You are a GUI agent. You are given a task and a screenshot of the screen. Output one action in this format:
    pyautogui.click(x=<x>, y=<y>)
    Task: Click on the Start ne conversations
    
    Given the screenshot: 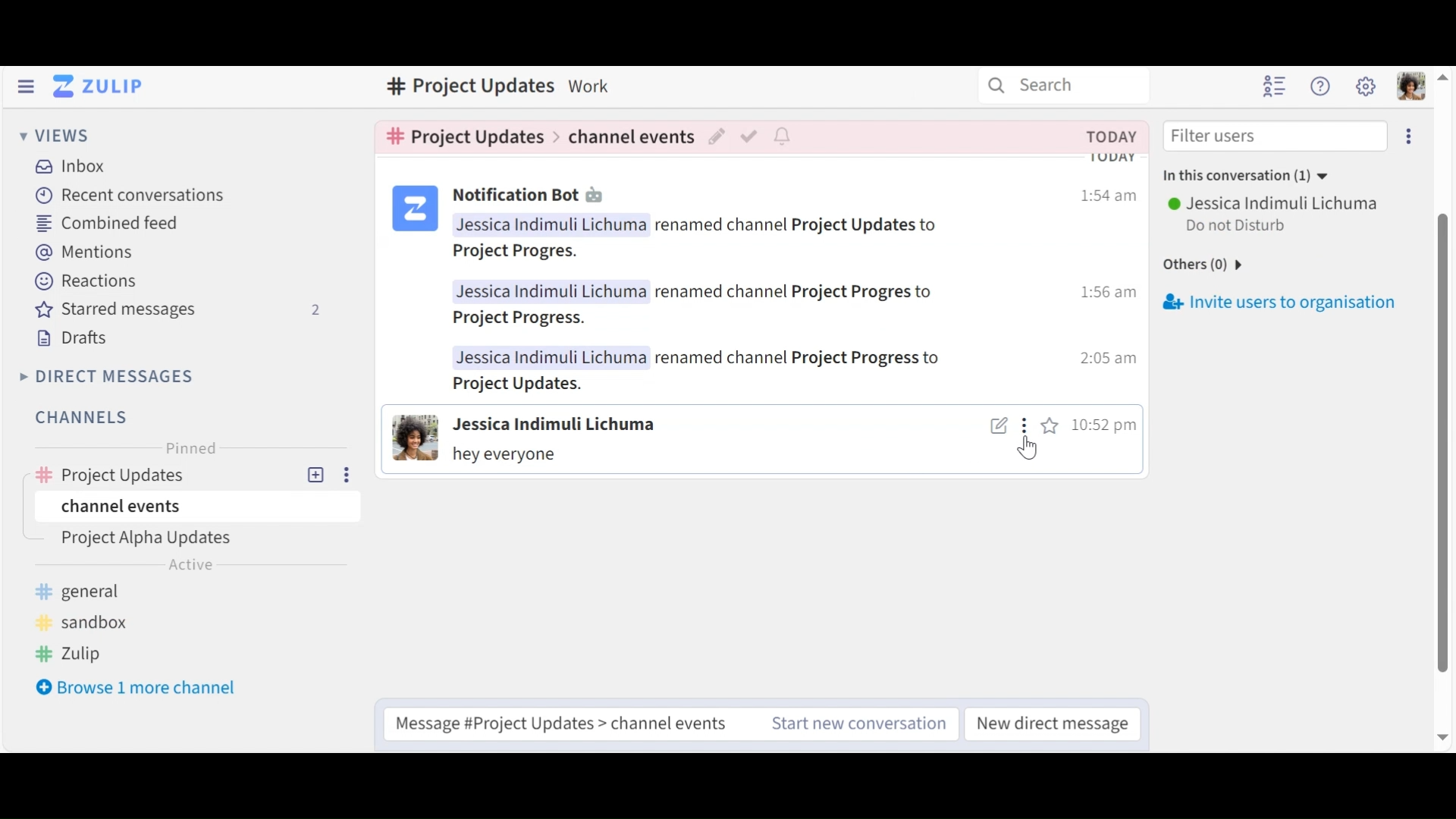 What is the action you would take?
    pyautogui.click(x=855, y=724)
    